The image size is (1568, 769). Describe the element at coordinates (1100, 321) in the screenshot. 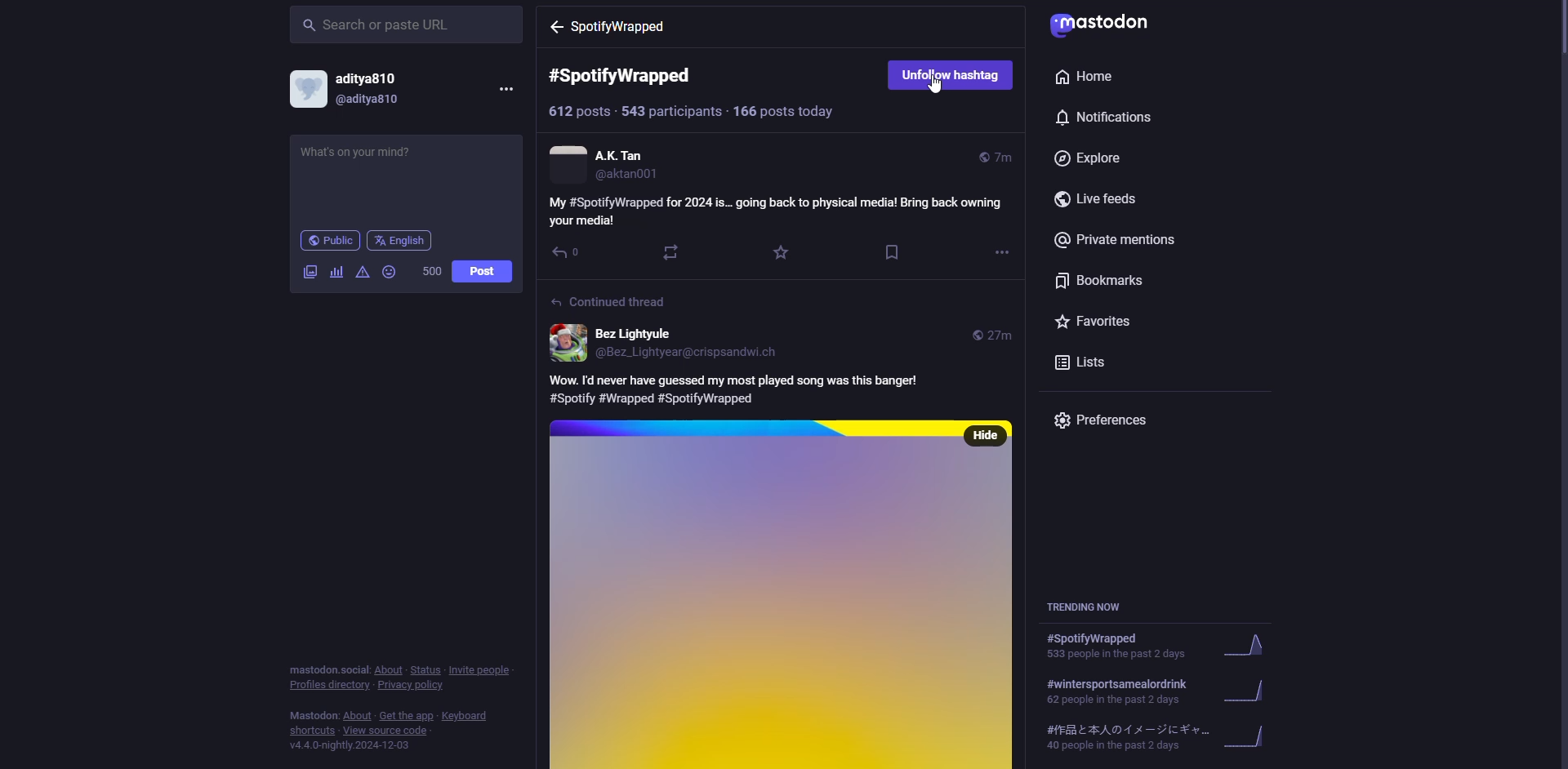

I see `favorites` at that location.